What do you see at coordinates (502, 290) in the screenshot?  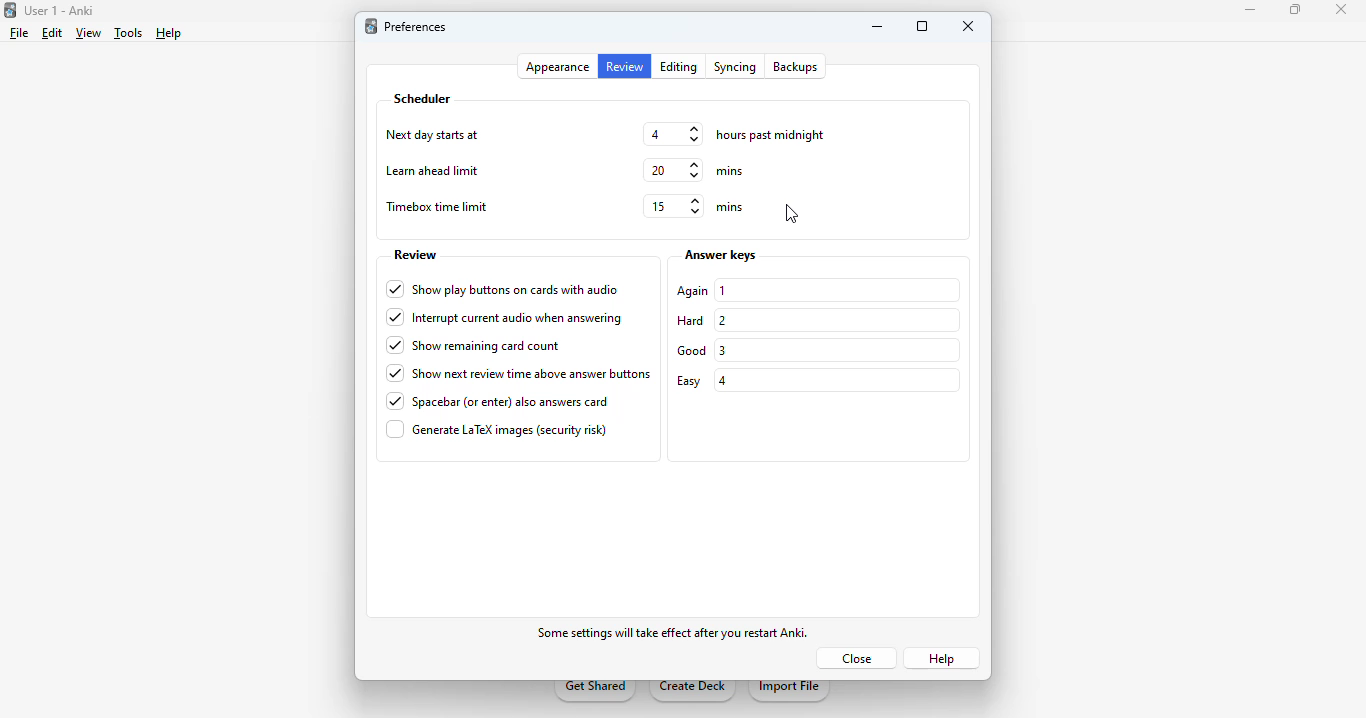 I see `show play buttons on cards with audio` at bounding box center [502, 290].